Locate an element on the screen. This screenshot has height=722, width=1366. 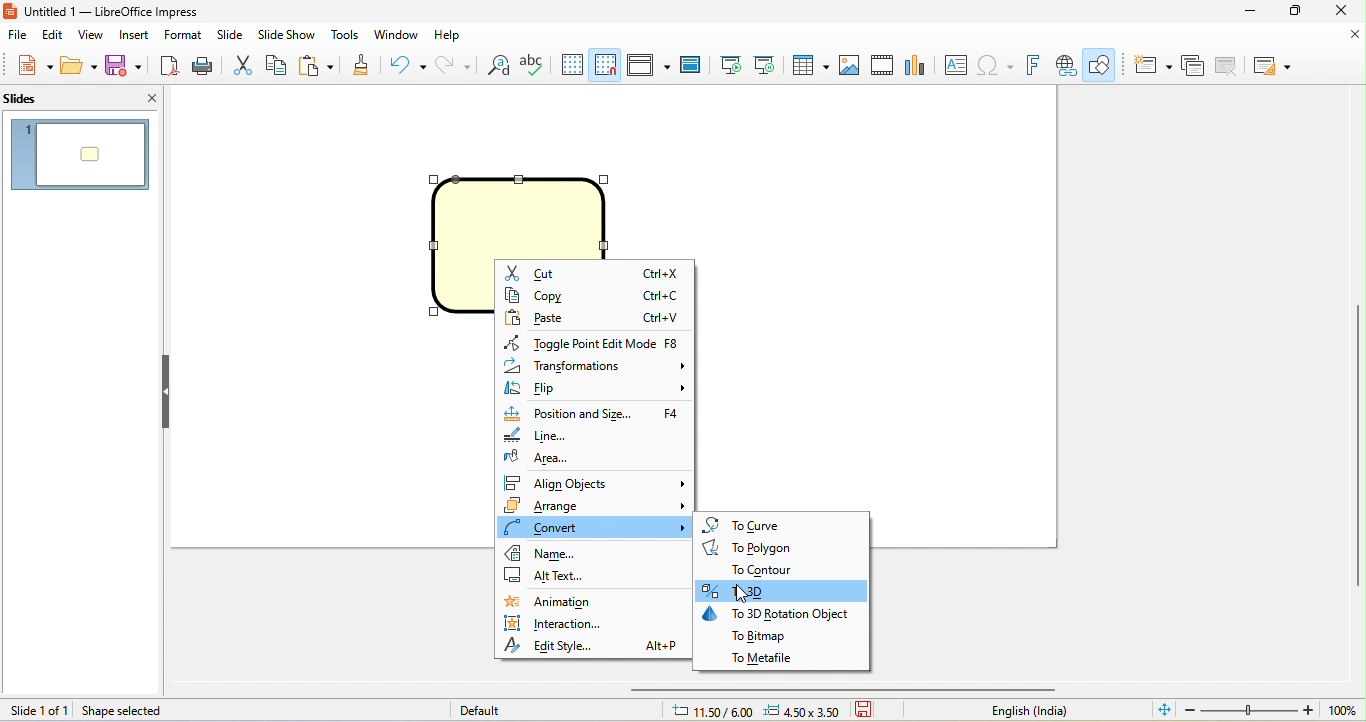
vedio is located at coordinates (886, 65).